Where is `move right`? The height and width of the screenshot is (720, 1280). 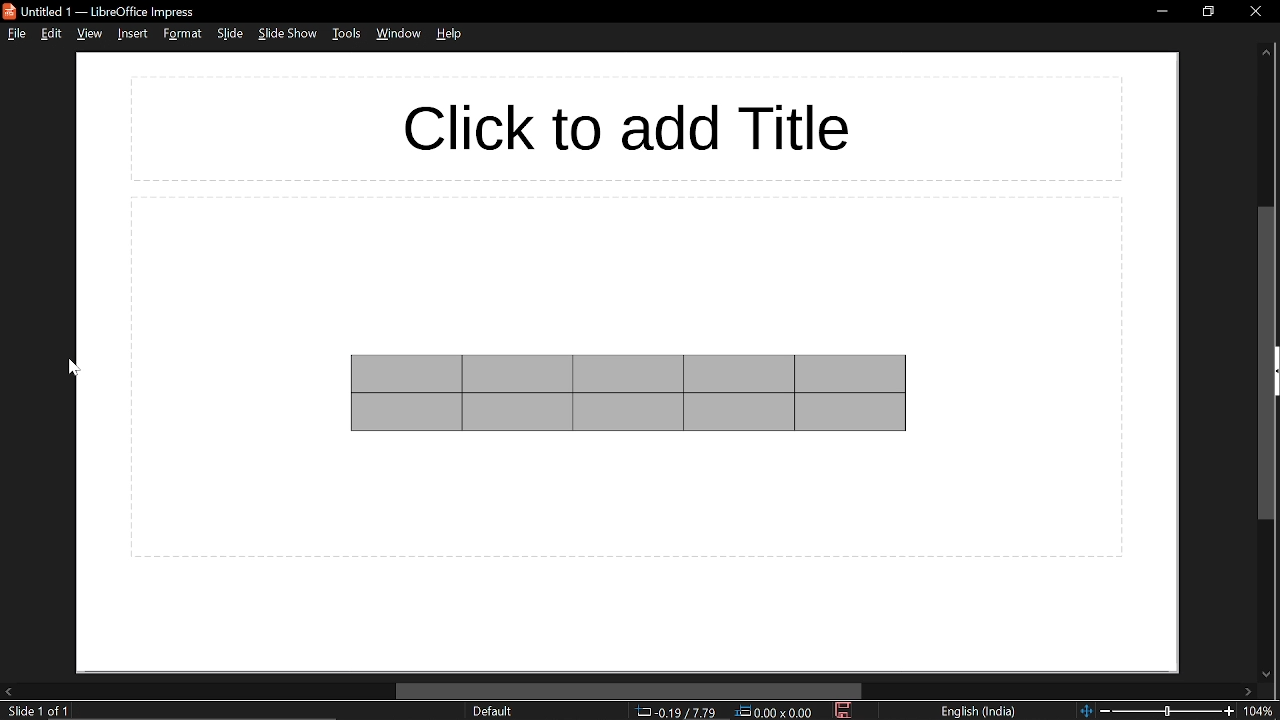 move right is located at coordinates (1247, 690).